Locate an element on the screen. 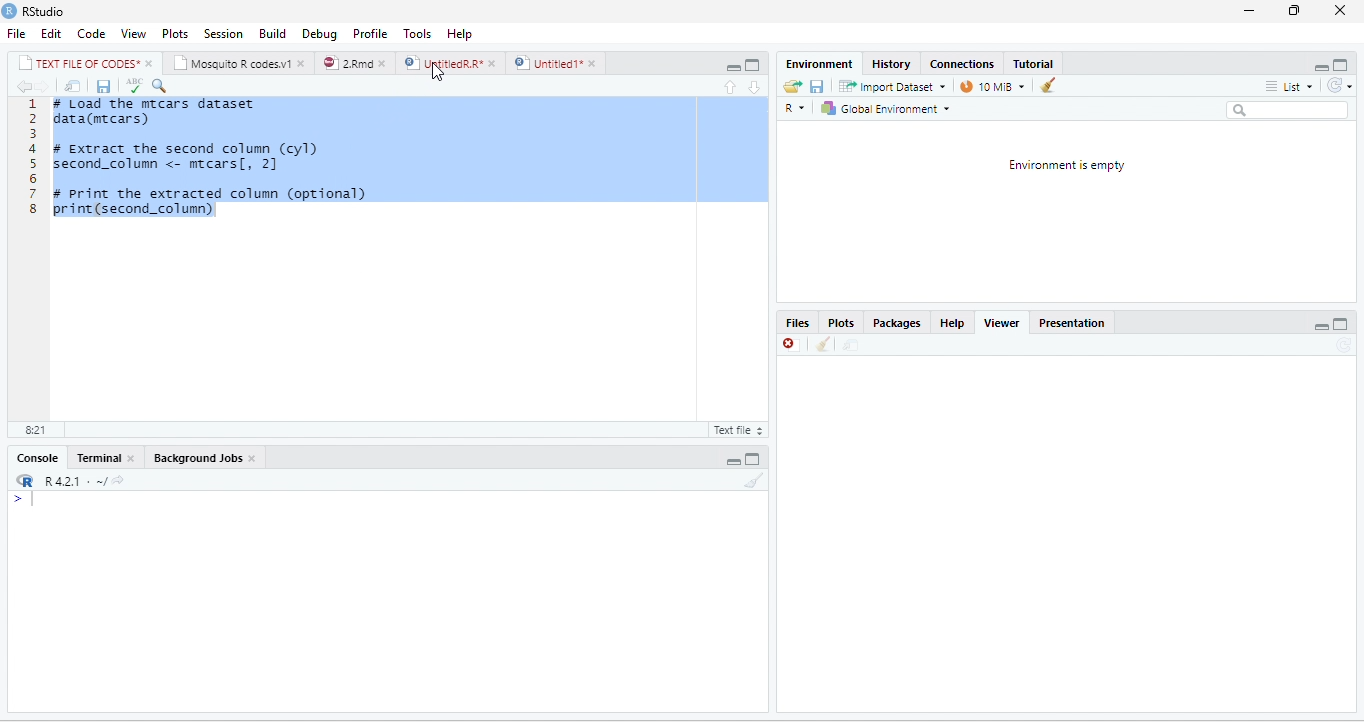 The width and height of the screenshot is (1364, 722). maximize is located at coordinates (1343, 323).